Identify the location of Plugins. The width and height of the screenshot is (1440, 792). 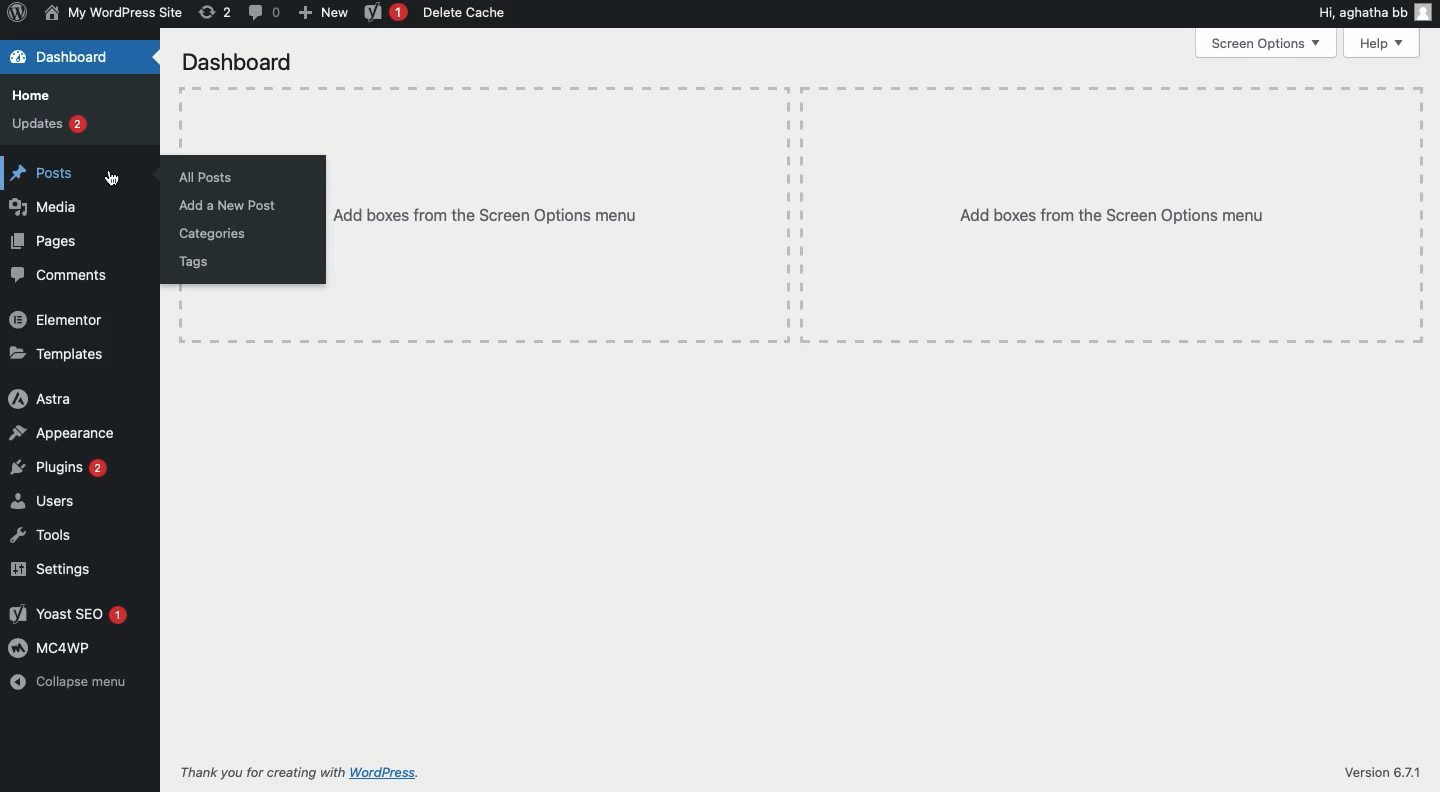
(58, 468).